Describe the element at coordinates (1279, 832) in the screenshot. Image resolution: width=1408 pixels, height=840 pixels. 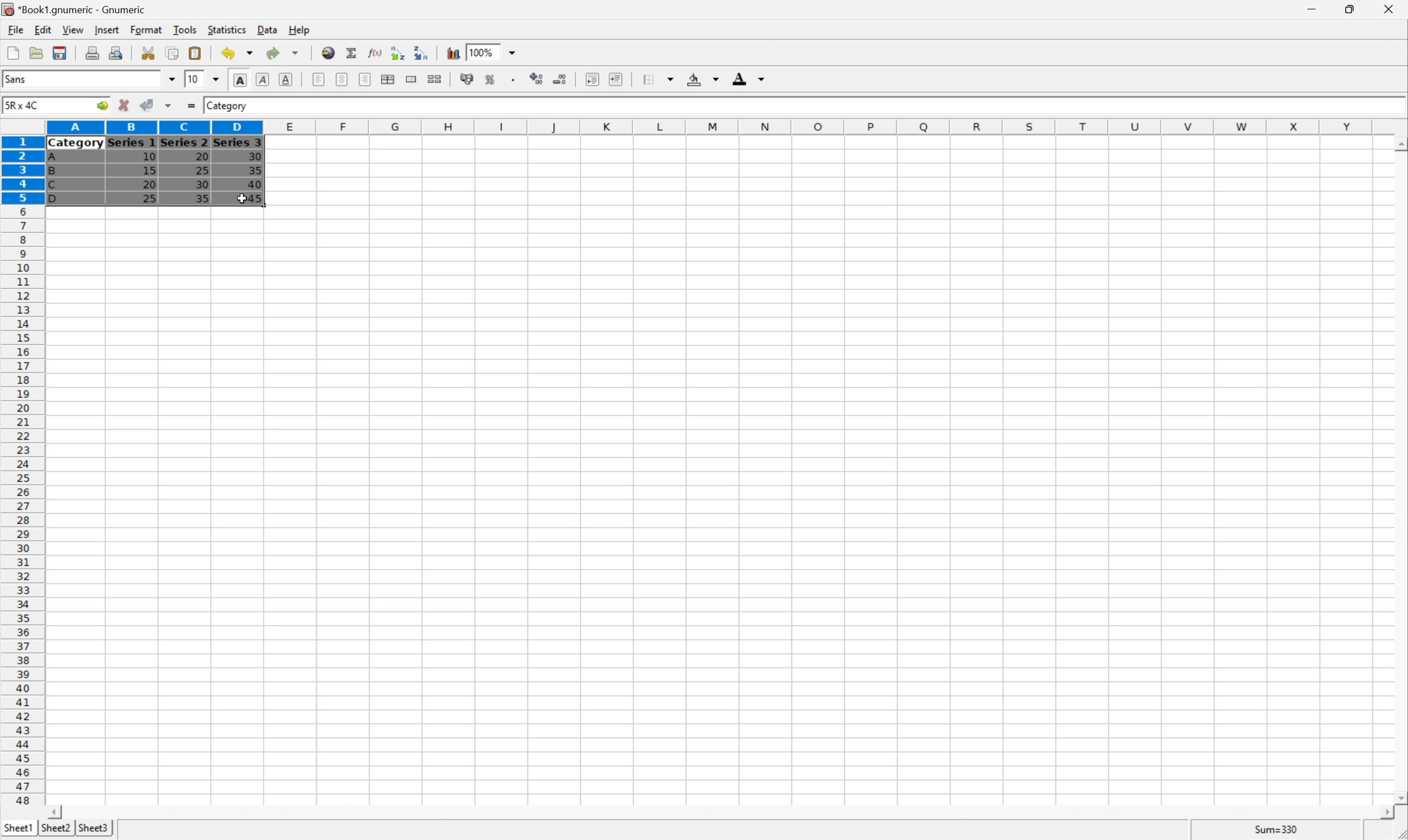
I see `Sum=0` at that location.